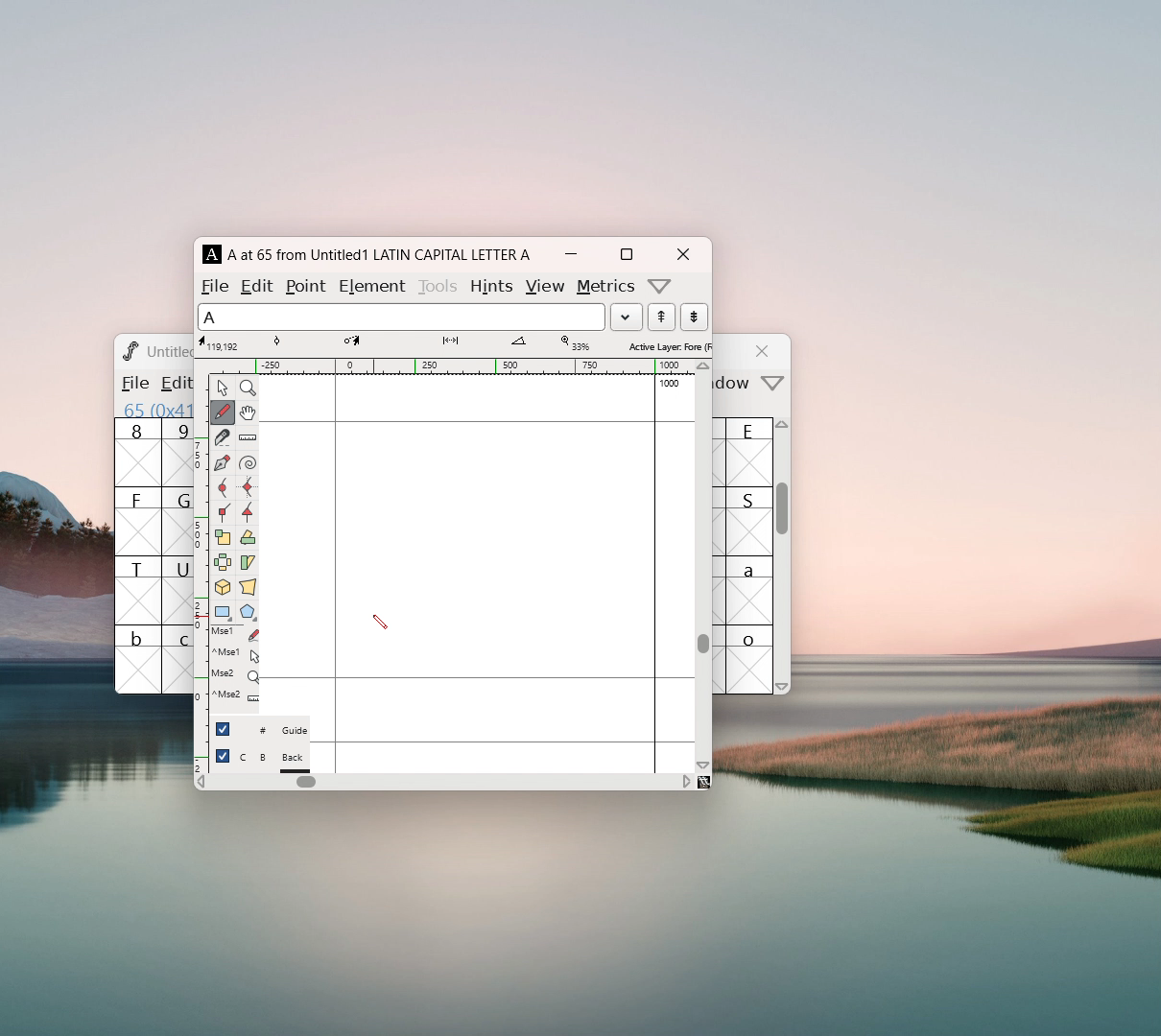 The height and width of the screenshot is (1036, 1161). What do you see at coordinates (751, 659) in the screenshot?
I see `o` at bounding box center [751, 659].